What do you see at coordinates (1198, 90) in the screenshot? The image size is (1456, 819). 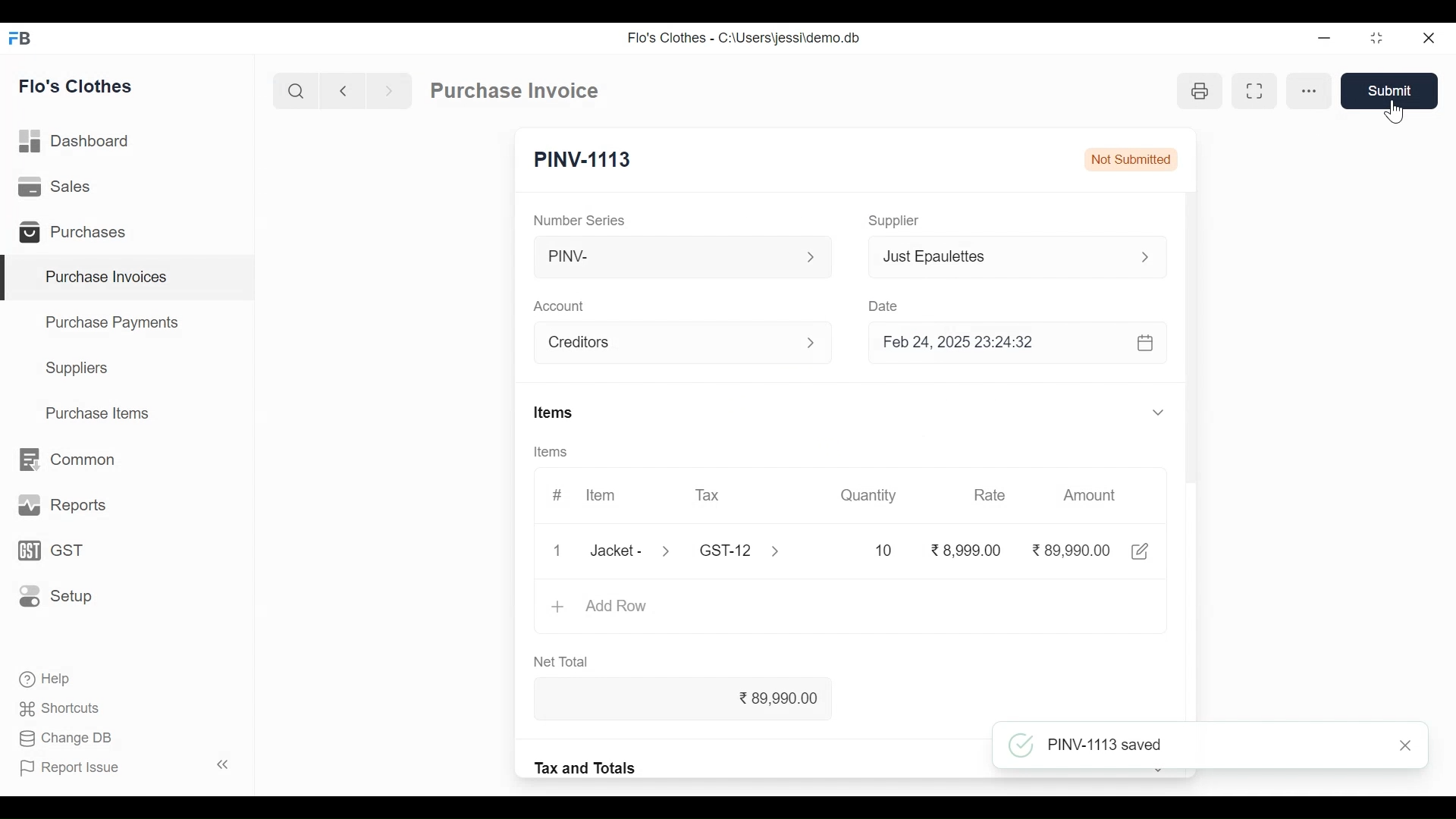 I see `Print` at bounding box center [1198, 90].